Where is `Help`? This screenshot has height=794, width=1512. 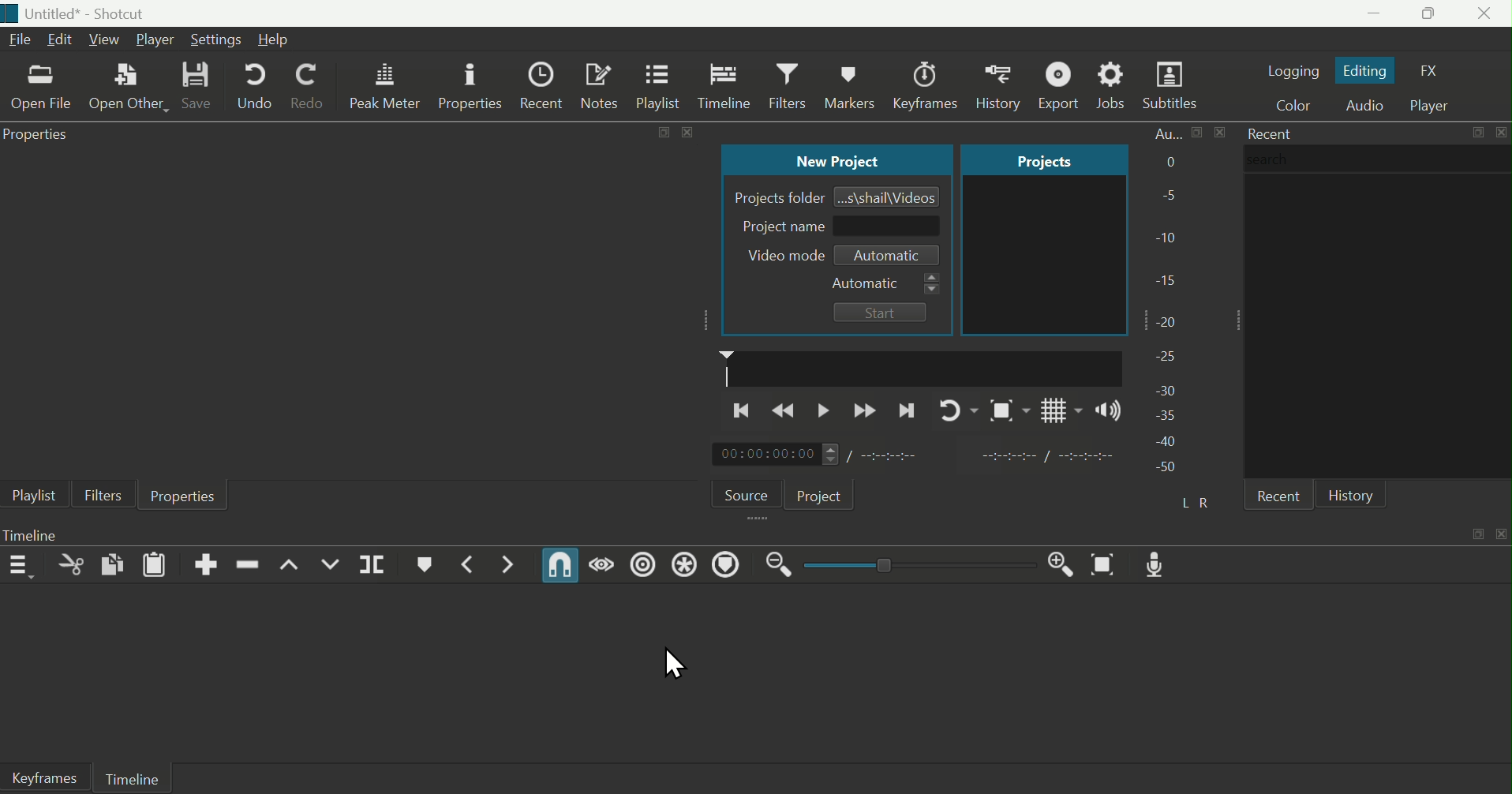
Help is located at coordinates (284, 41).